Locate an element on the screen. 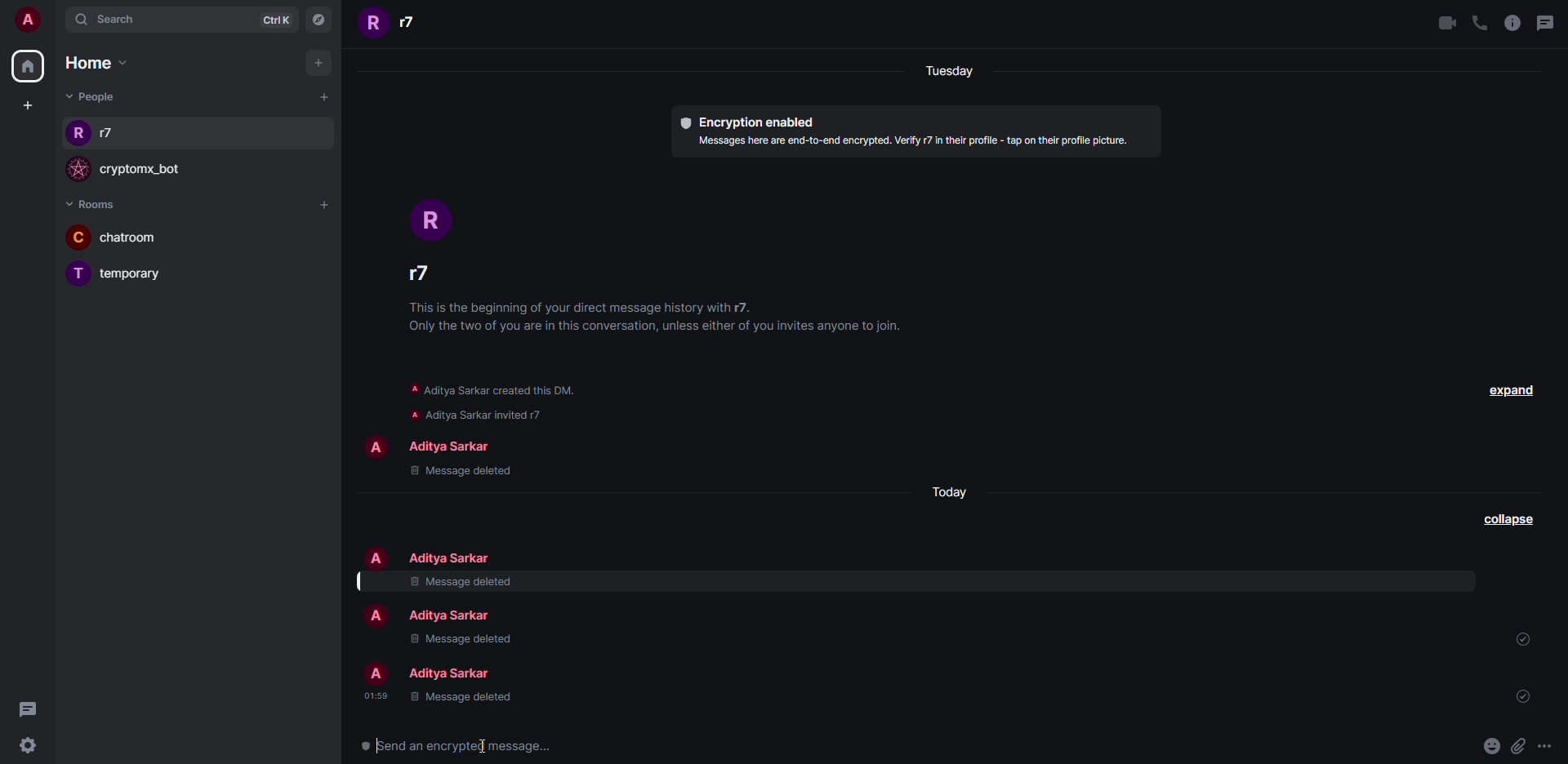 This screenshot has width=1568, height=764. bot is located at coordinates (149, 171).